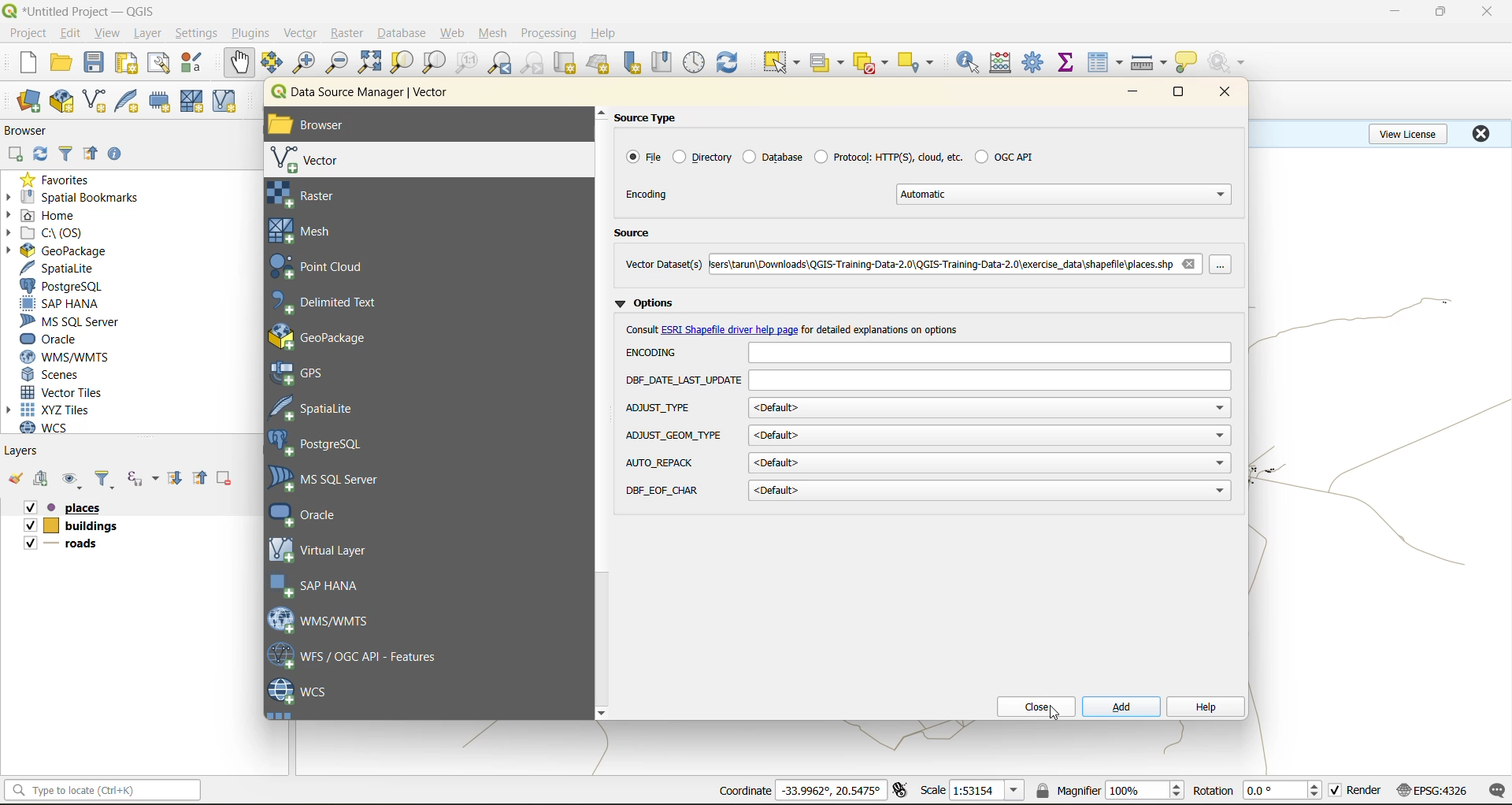 This screenshot has width=1512, height=805. What do you see at coordinates (226, 478) in the screenshot?
I see `remove layer` at bounding box center [226, 478].